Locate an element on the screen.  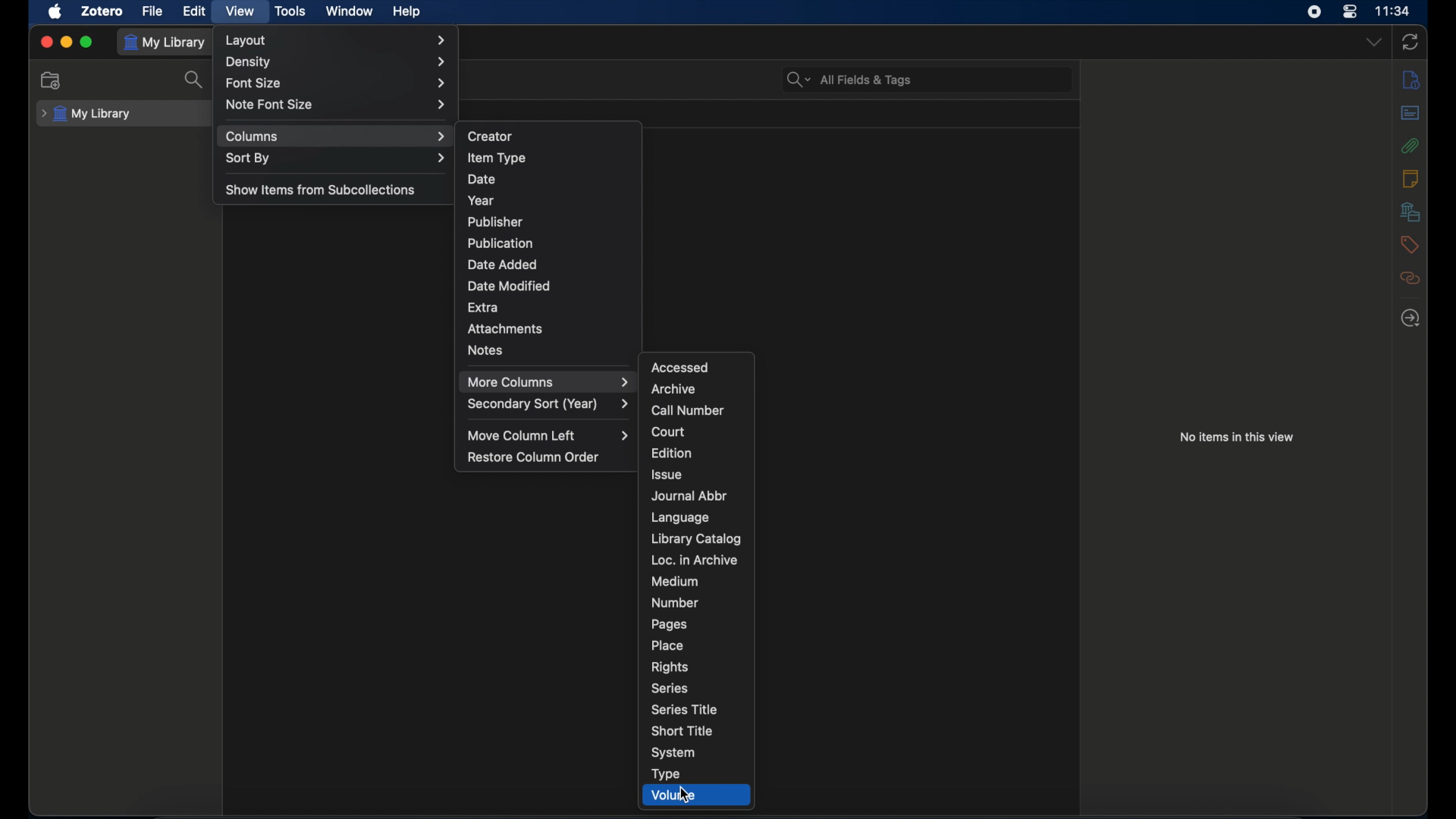
rights is located at coordinates (670, 667).